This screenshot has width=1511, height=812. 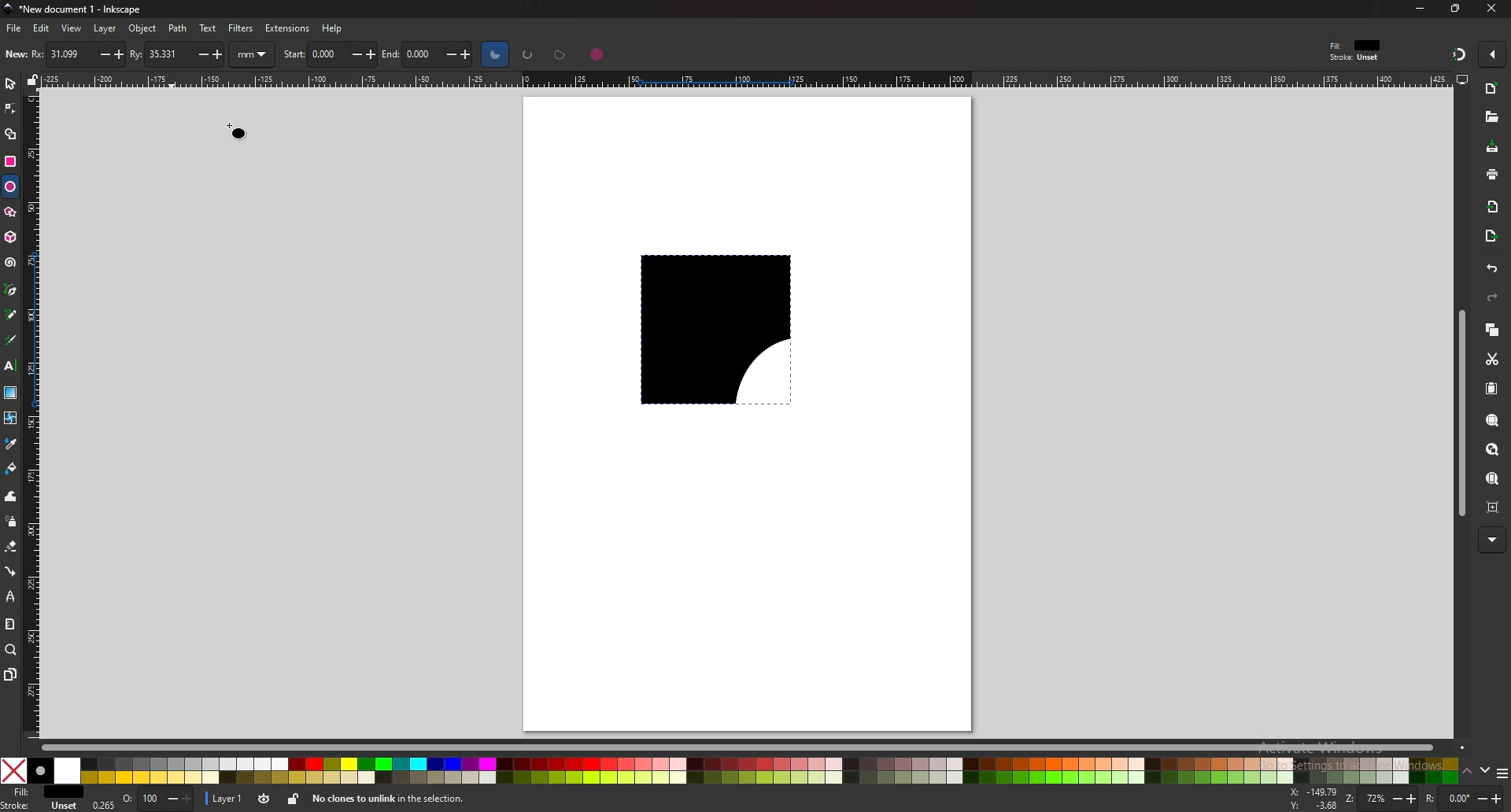 What do you see at coordinates (235, 130) in the screenshot?
I see `cursor` at bounding box center [235, 130].